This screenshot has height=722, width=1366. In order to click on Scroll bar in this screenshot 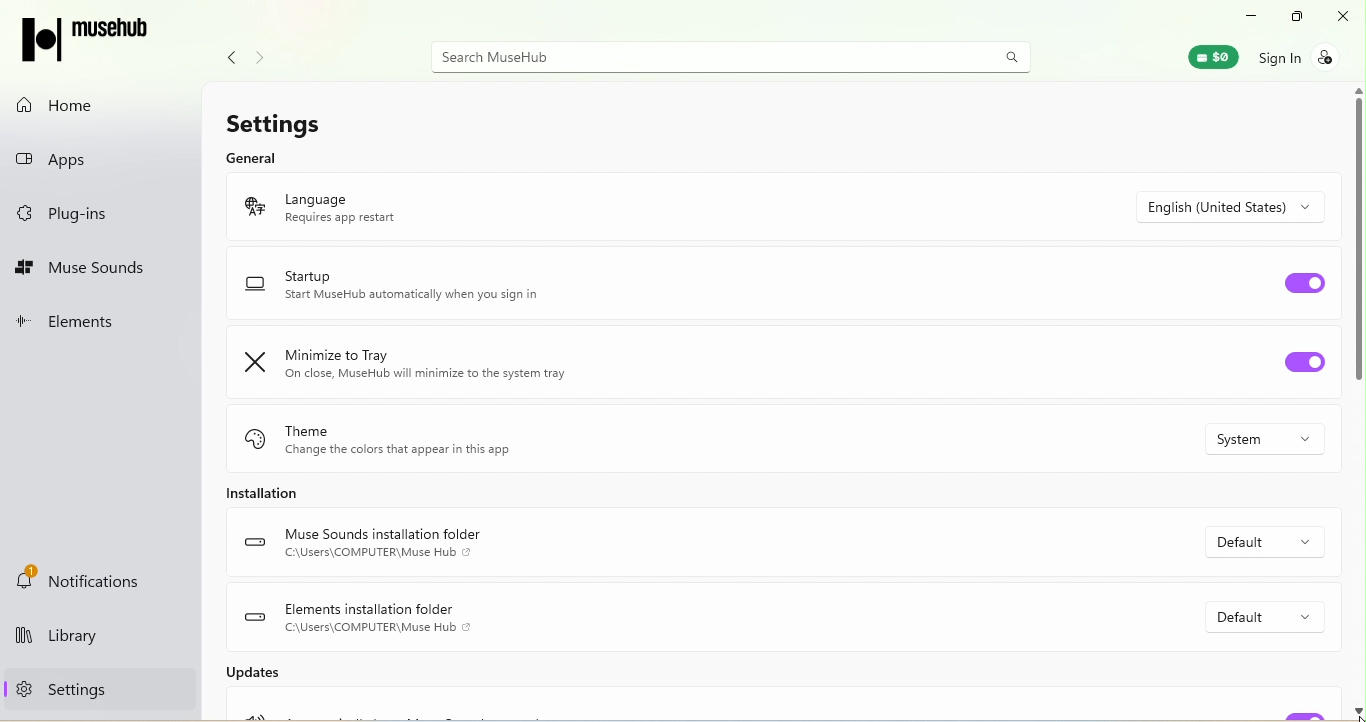, I will do `click(1358, 401)`.